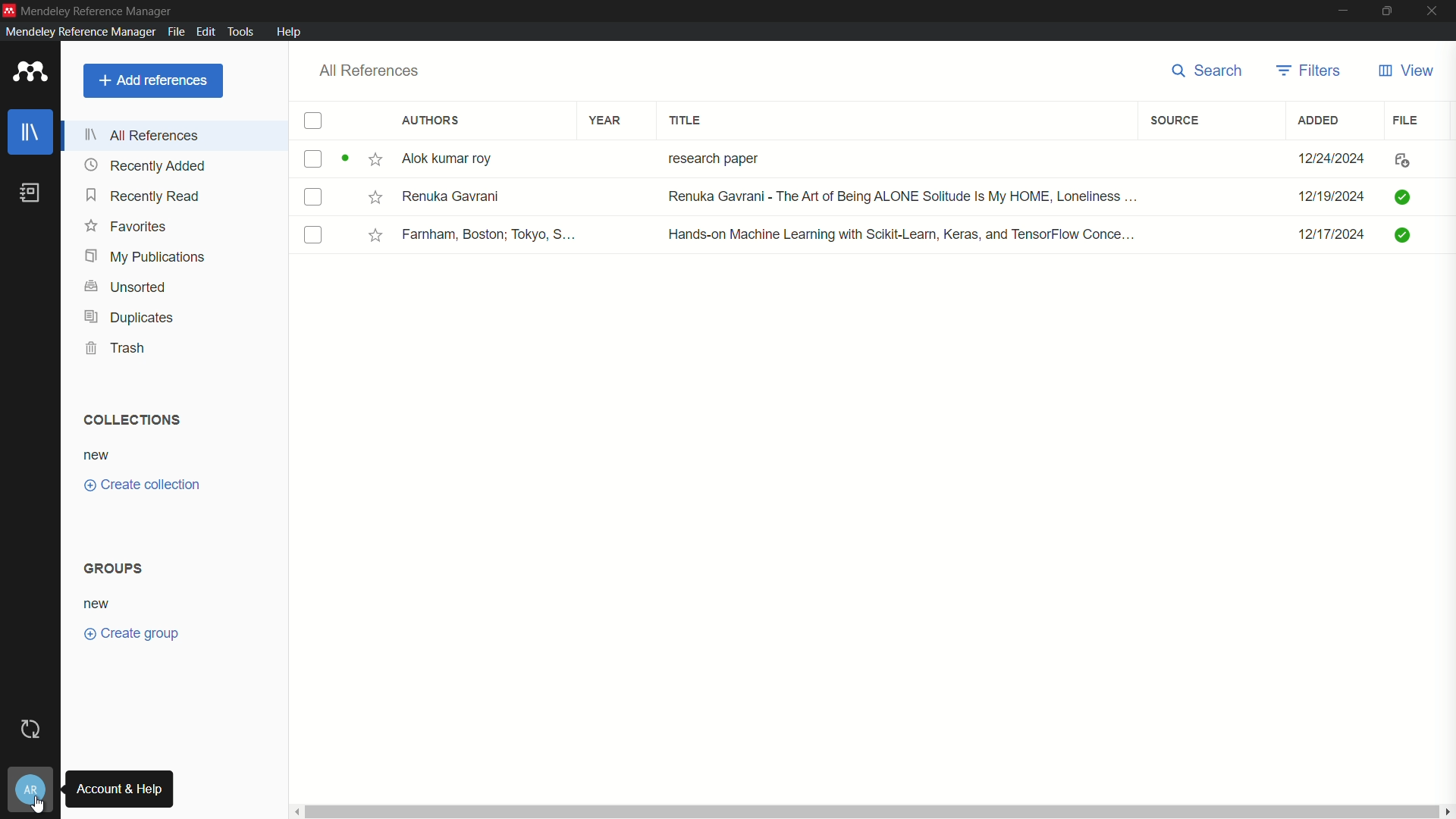 The image size is (1456, 819). What do you see at coordinates (1209, 72) in the screenshot?
I see `search` at bounding box center [1209, 72].